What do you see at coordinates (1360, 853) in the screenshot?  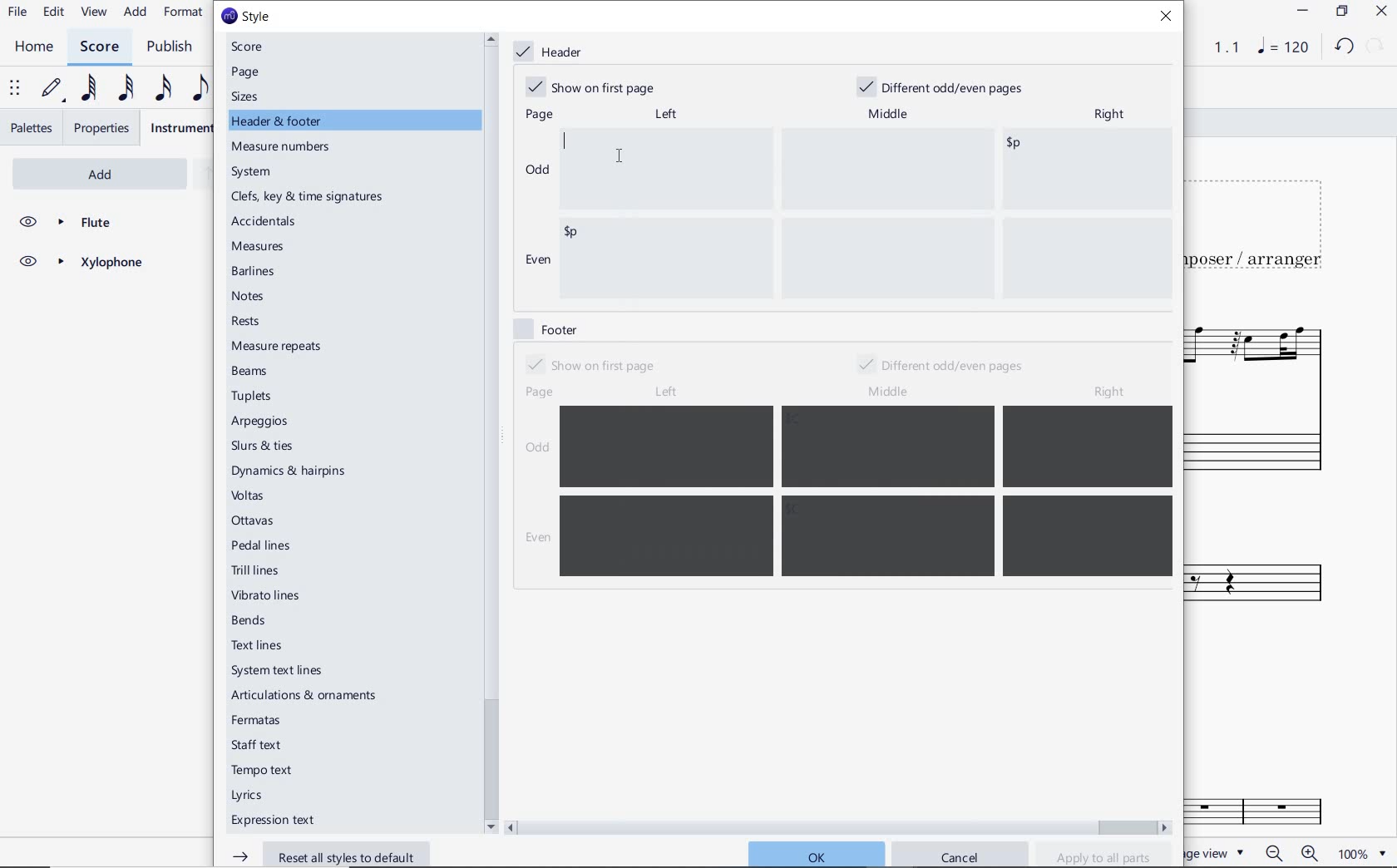 I see `zoom factor` at bounding box center [1360, 853].